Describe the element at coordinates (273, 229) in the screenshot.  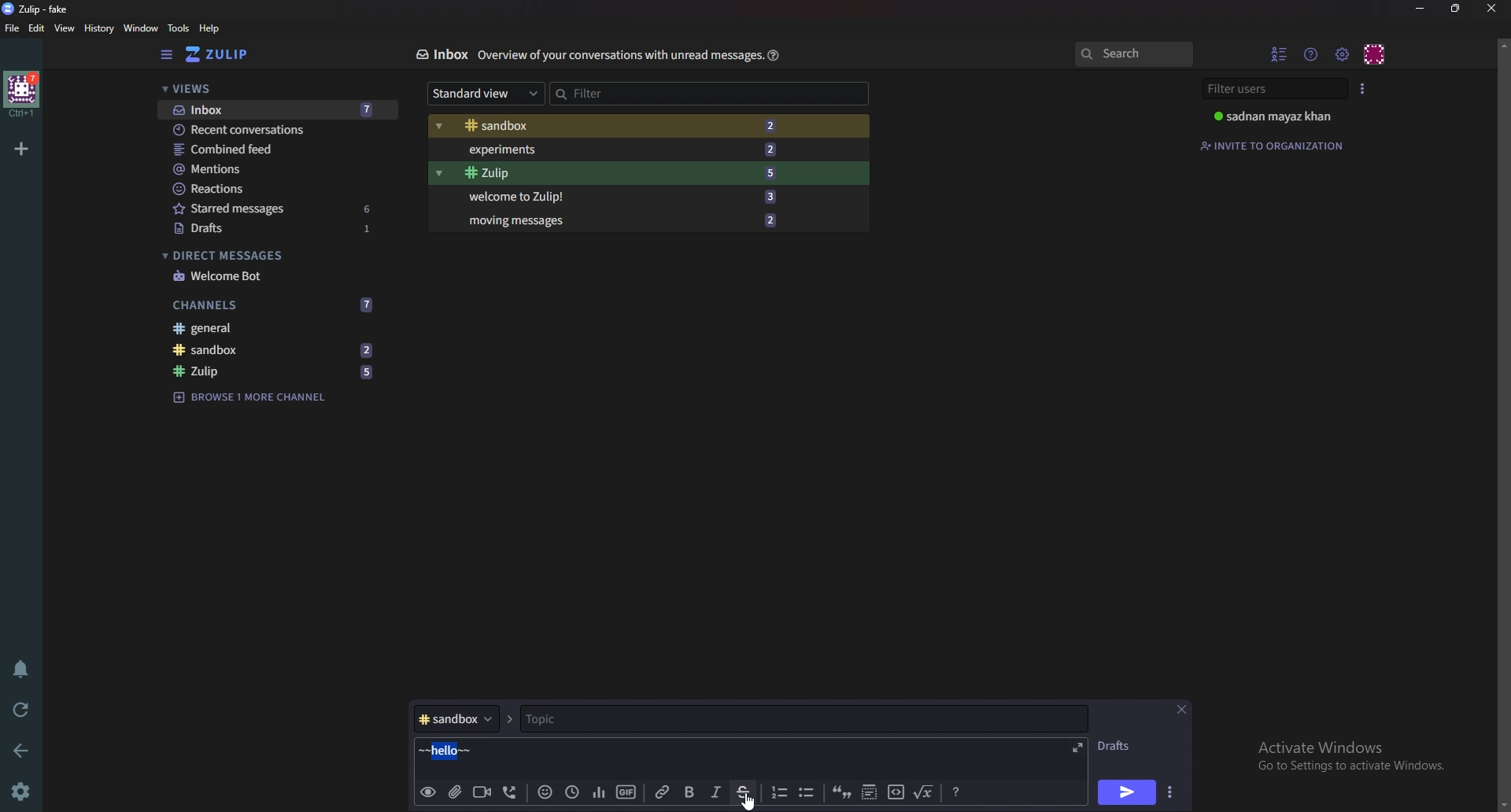
I see `Drafts` at that location.